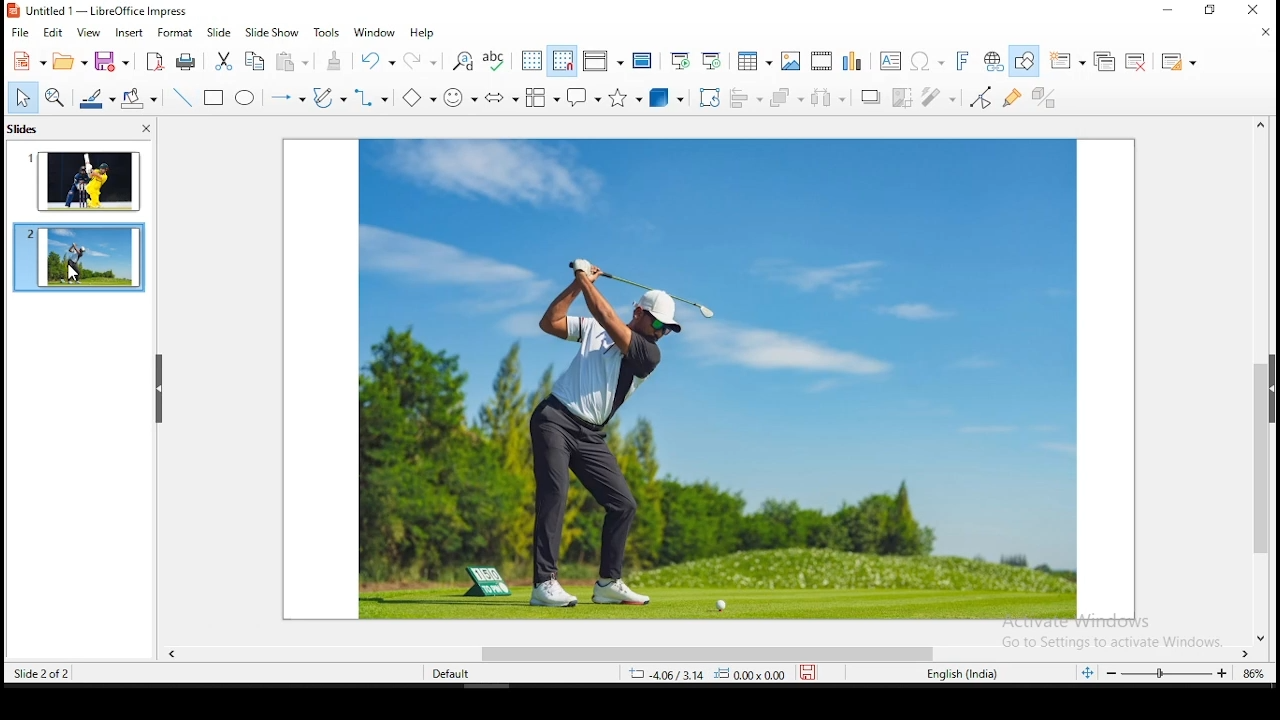  Describe the element at coordinates (244, 102) in the screenshot. I see `ellipse` at that location.